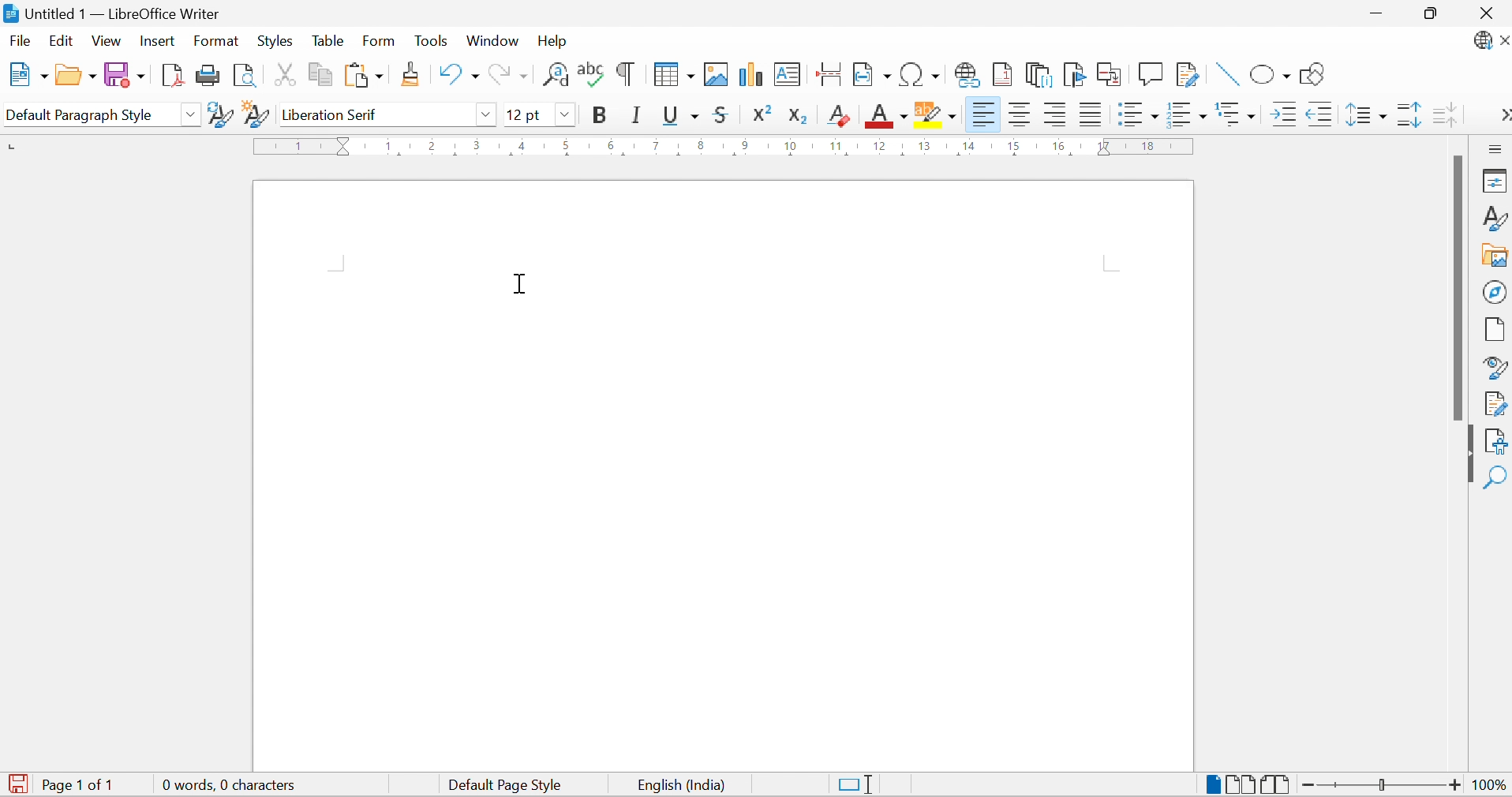 The width and height of the screenshot is (1512, 797). What do you see at coordinates (1039, 74) in the screenshot?
I see `Insert Endnote` at bounding box center [1039, 74].